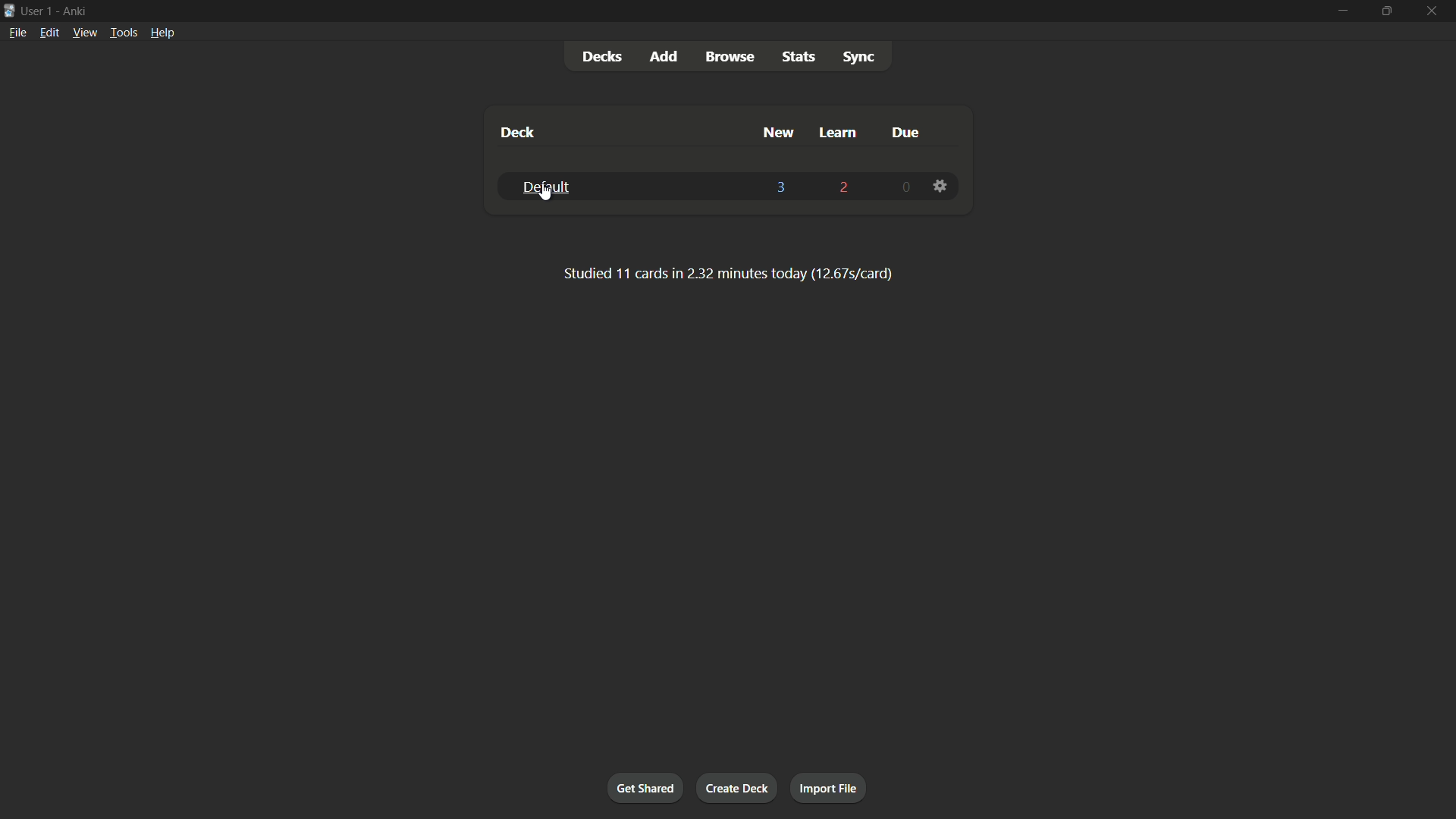  Describe the element at coordinates (76, 10) in the screenshot. I see `app name` at that location.